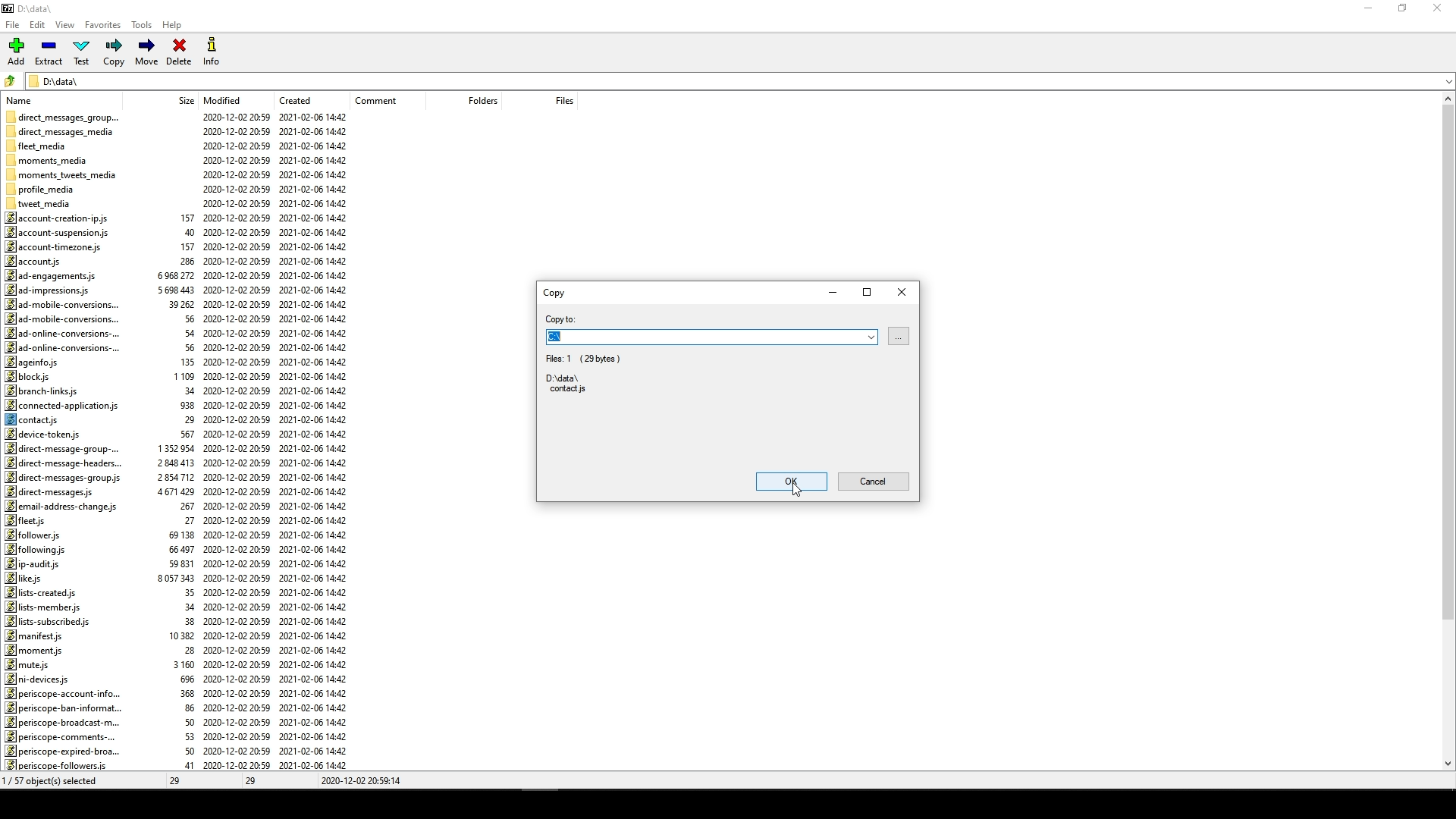 This screenshot has width=1456, height=819. What do you see at coordinates (46, 434) in the screenshot?
I see `device-token.js` at bounding box center [46, 434].